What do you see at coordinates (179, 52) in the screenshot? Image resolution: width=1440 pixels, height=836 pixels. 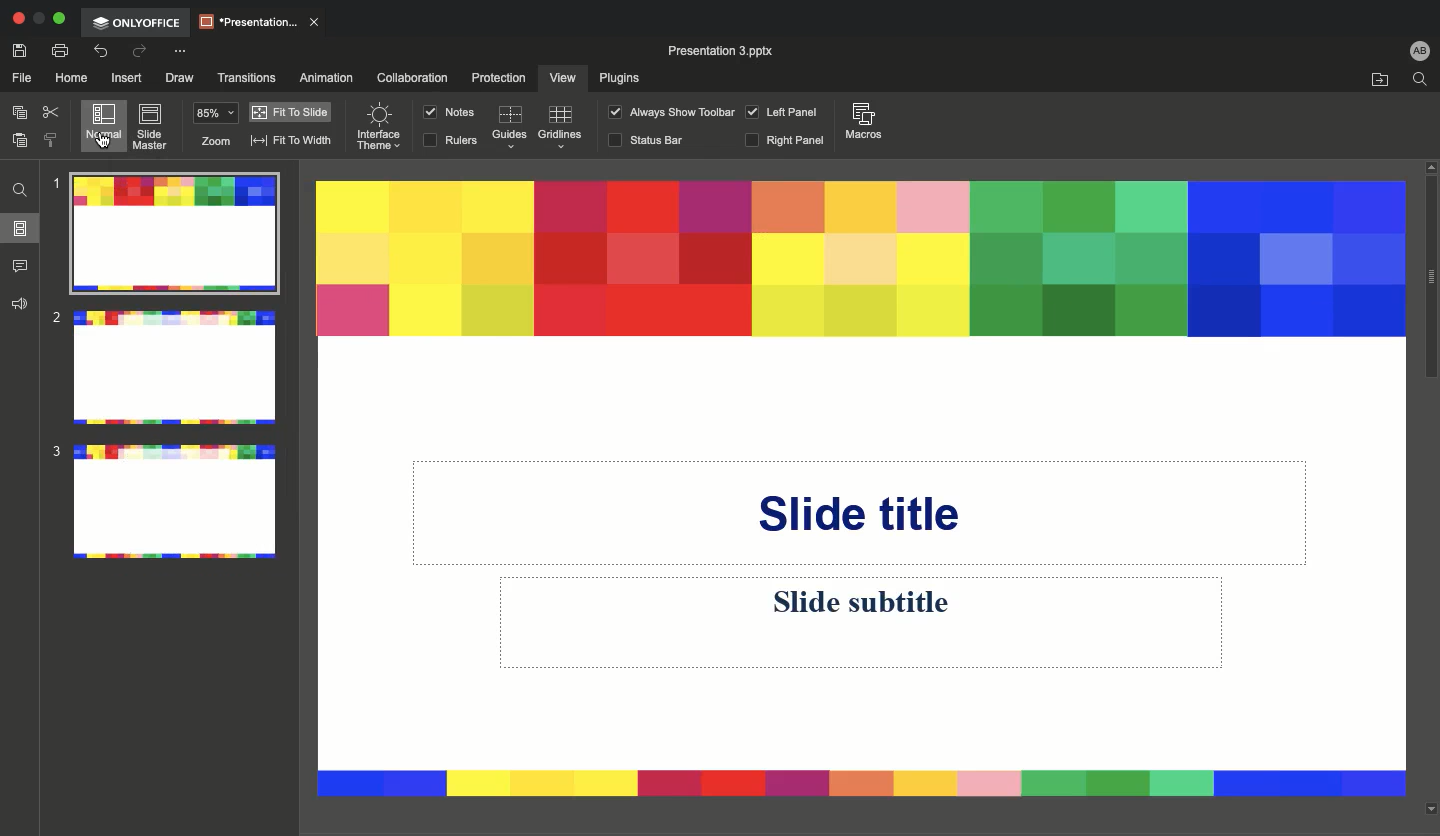 I see `Customize quick access toolbar` at bounding box center [179, 52].